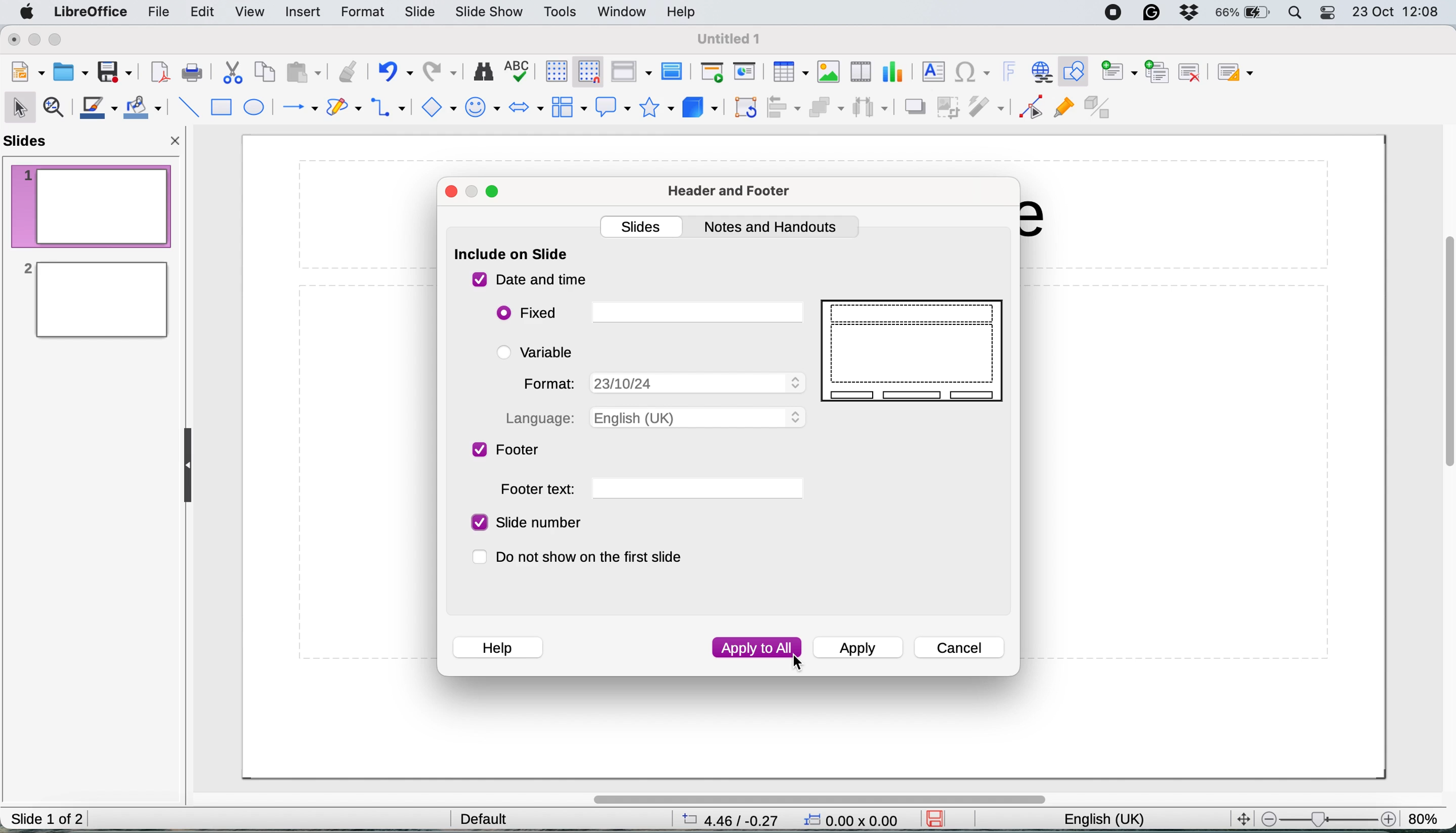 The image size is (1456, 833). What do you see at coordinates (950, 106) in the screenshot?
I see `crop image` at bounding box center [950, 106].